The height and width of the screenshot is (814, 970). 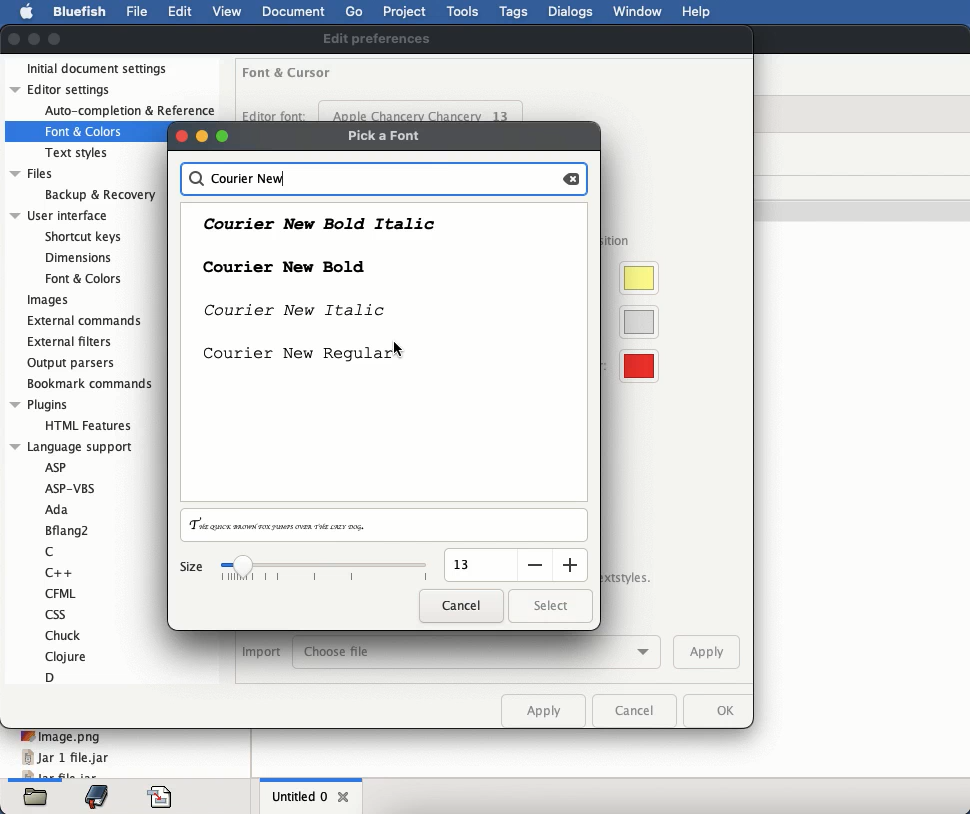 I want to click on minimize, so click(x=34, y=39).